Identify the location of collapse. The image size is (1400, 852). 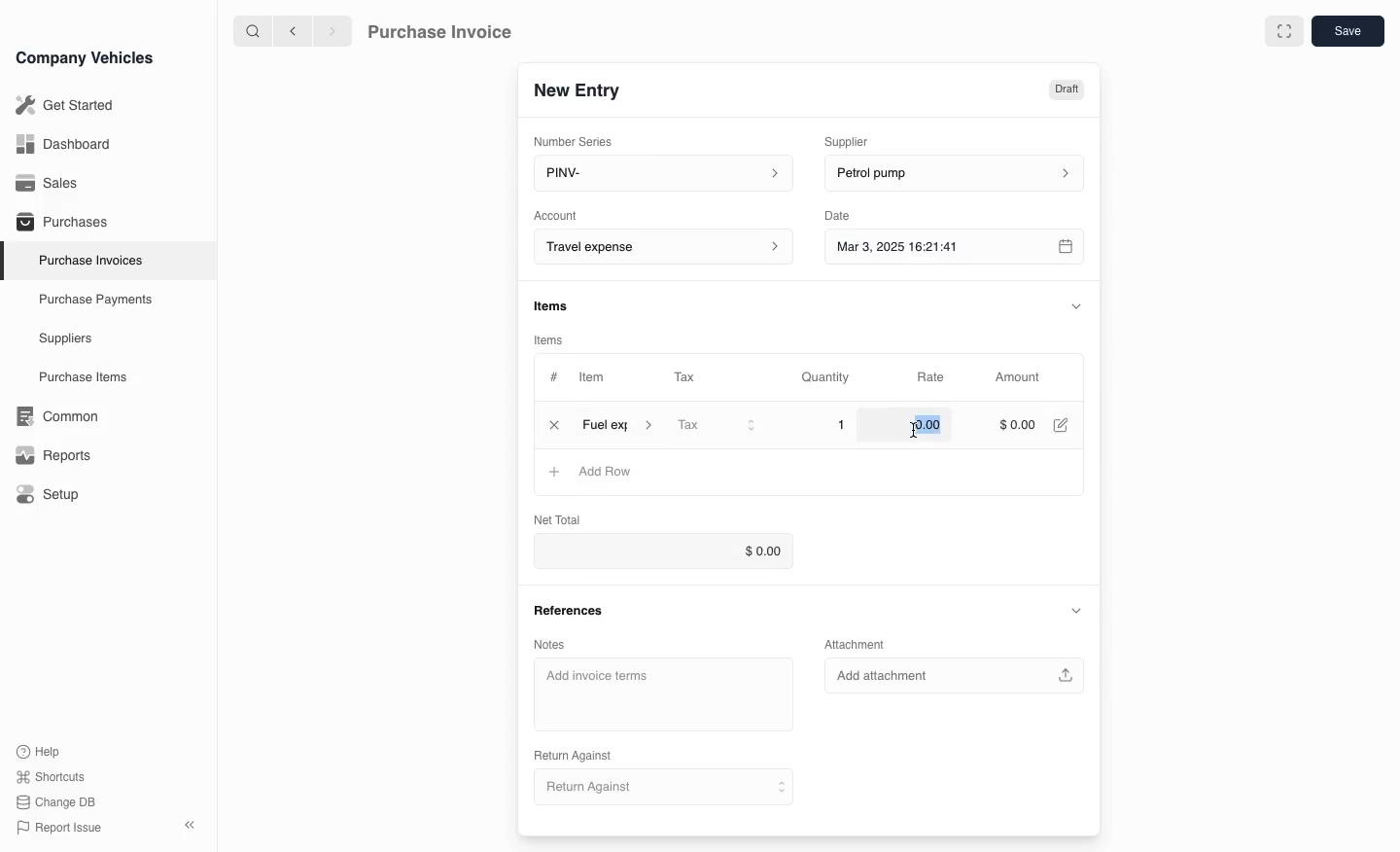
(1077, 304).